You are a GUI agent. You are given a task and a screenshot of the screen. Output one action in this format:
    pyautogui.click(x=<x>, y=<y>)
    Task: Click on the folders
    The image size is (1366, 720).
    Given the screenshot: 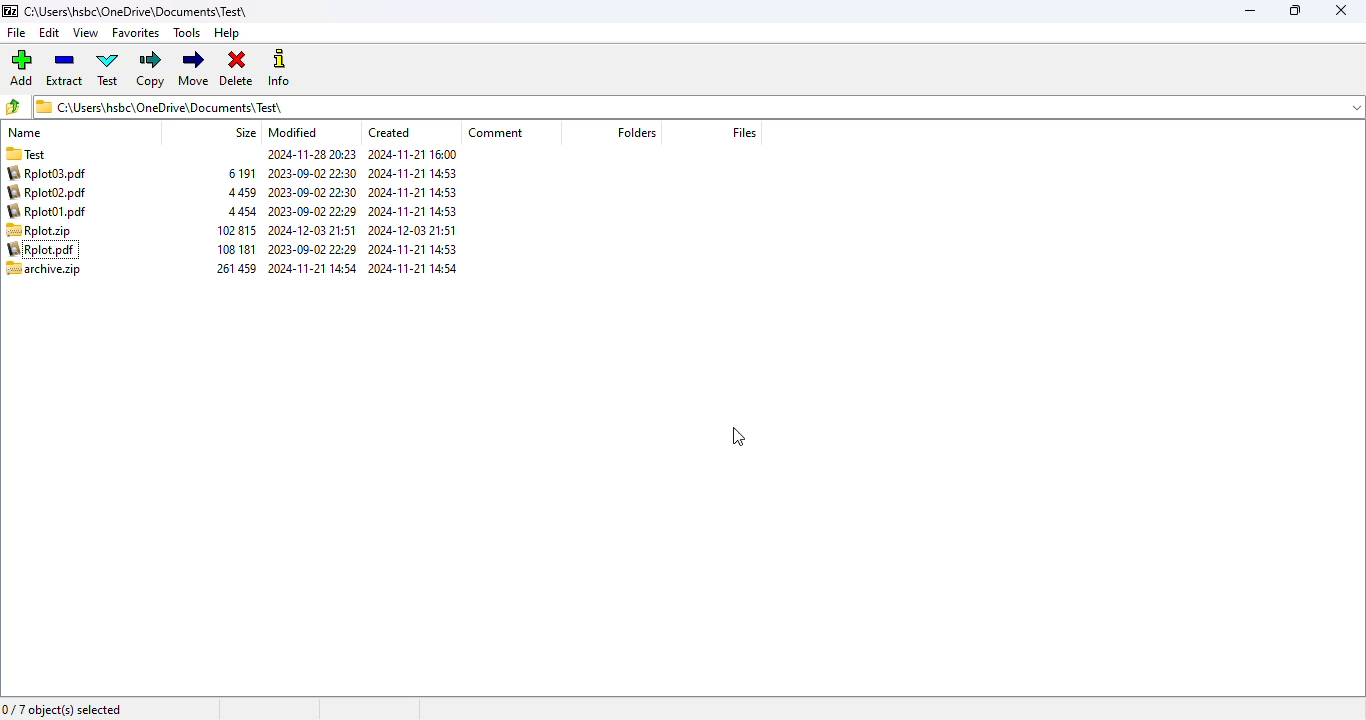 What is the action you would take?
    pyautogui.click(x=636, y=132)
    